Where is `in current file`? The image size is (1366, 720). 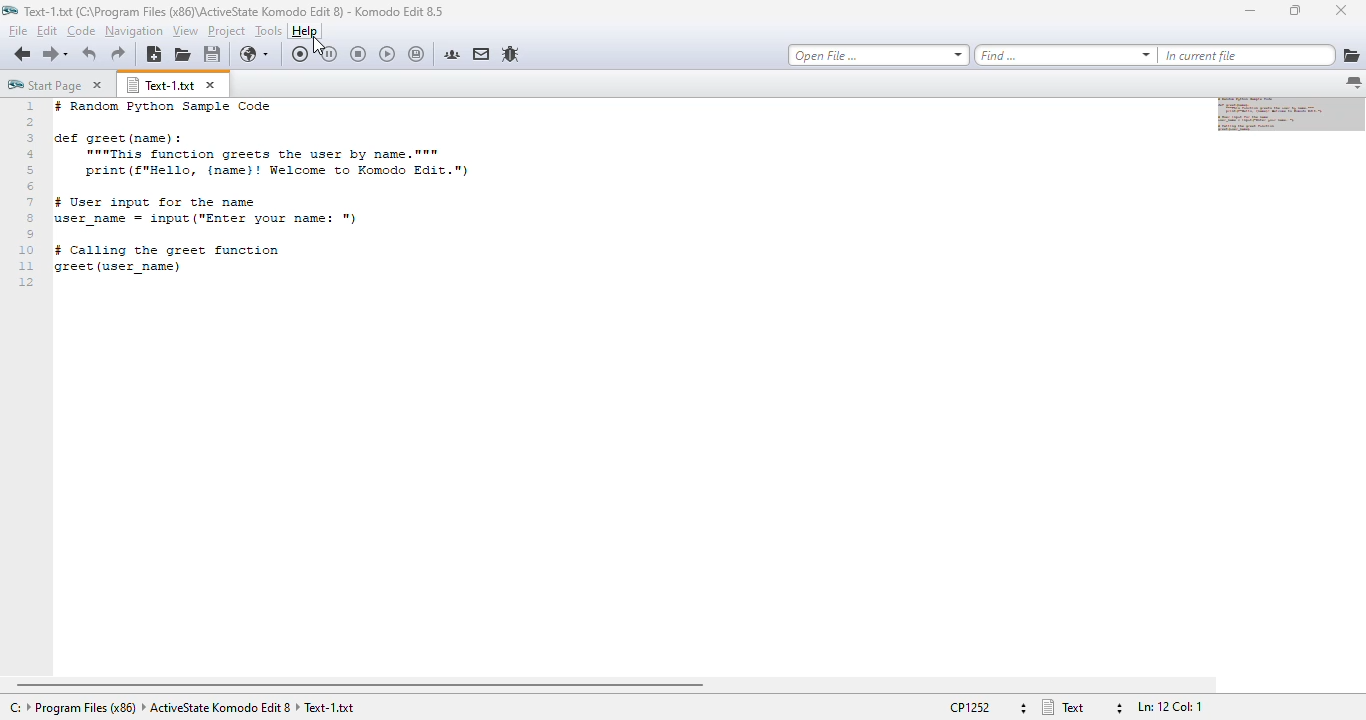 in current file is located at coordinates (1246, 56).